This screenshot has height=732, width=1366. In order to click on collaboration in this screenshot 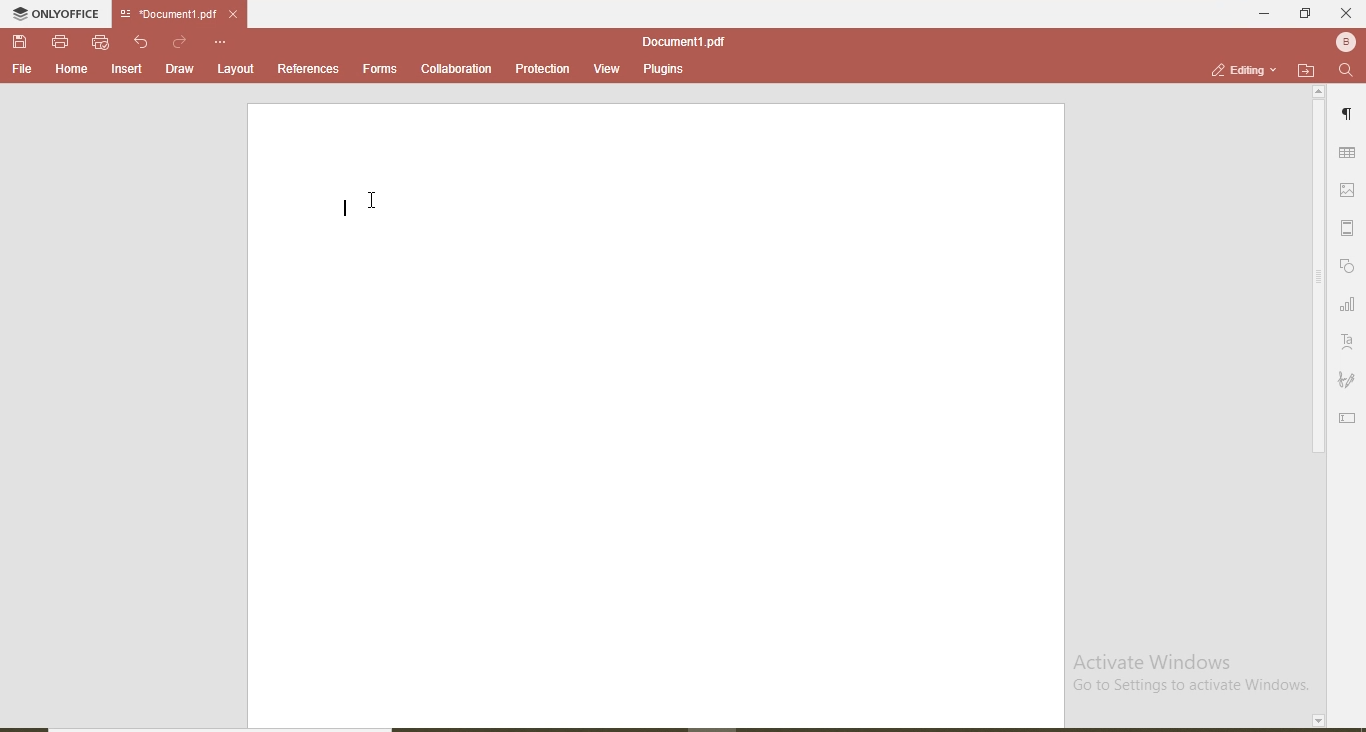, I will do `click(455, 69)`.